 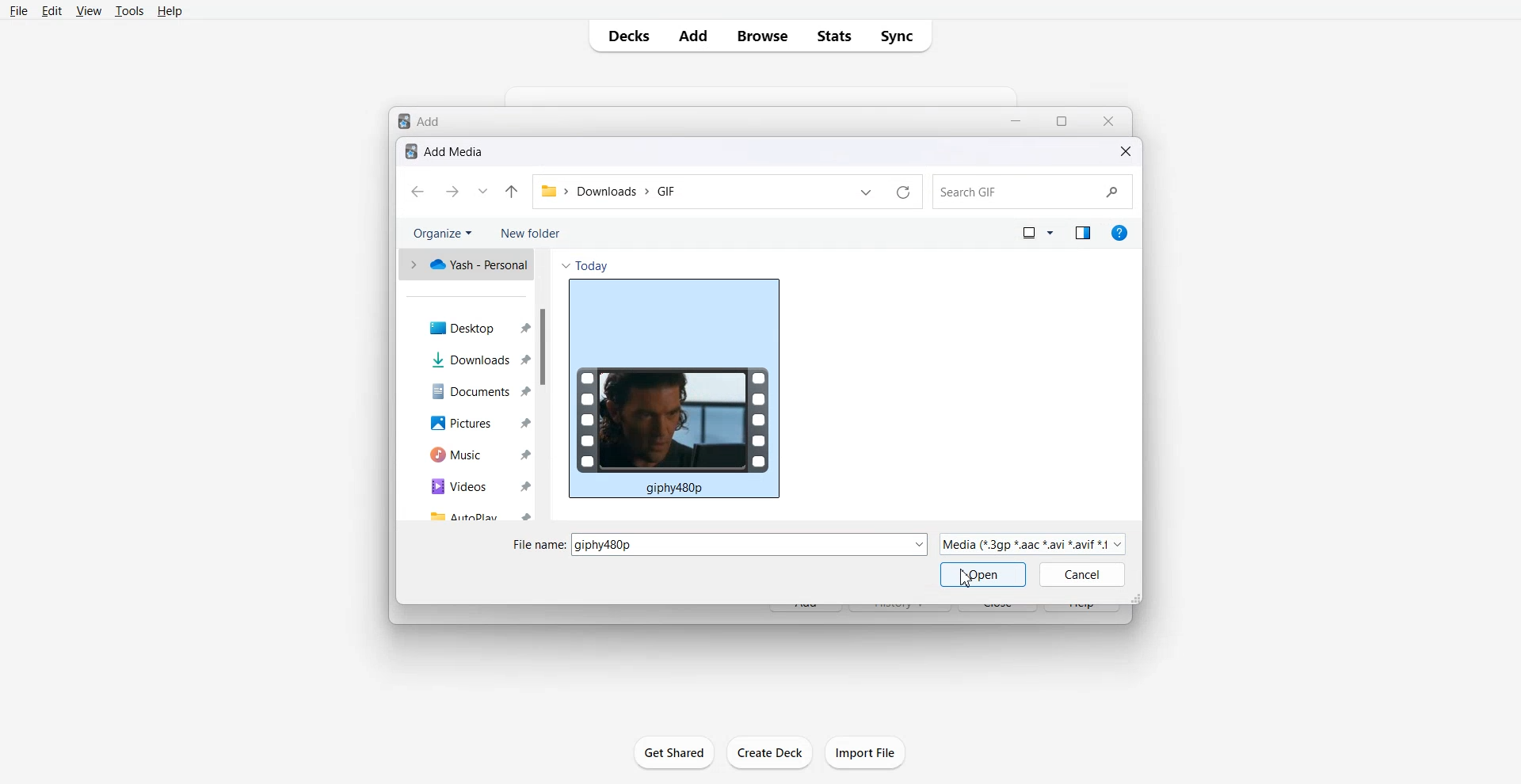 What do you see at coordinates (1031, 192) in the screenshot?
I see `Search bar` at bounding box center [1031, 192].